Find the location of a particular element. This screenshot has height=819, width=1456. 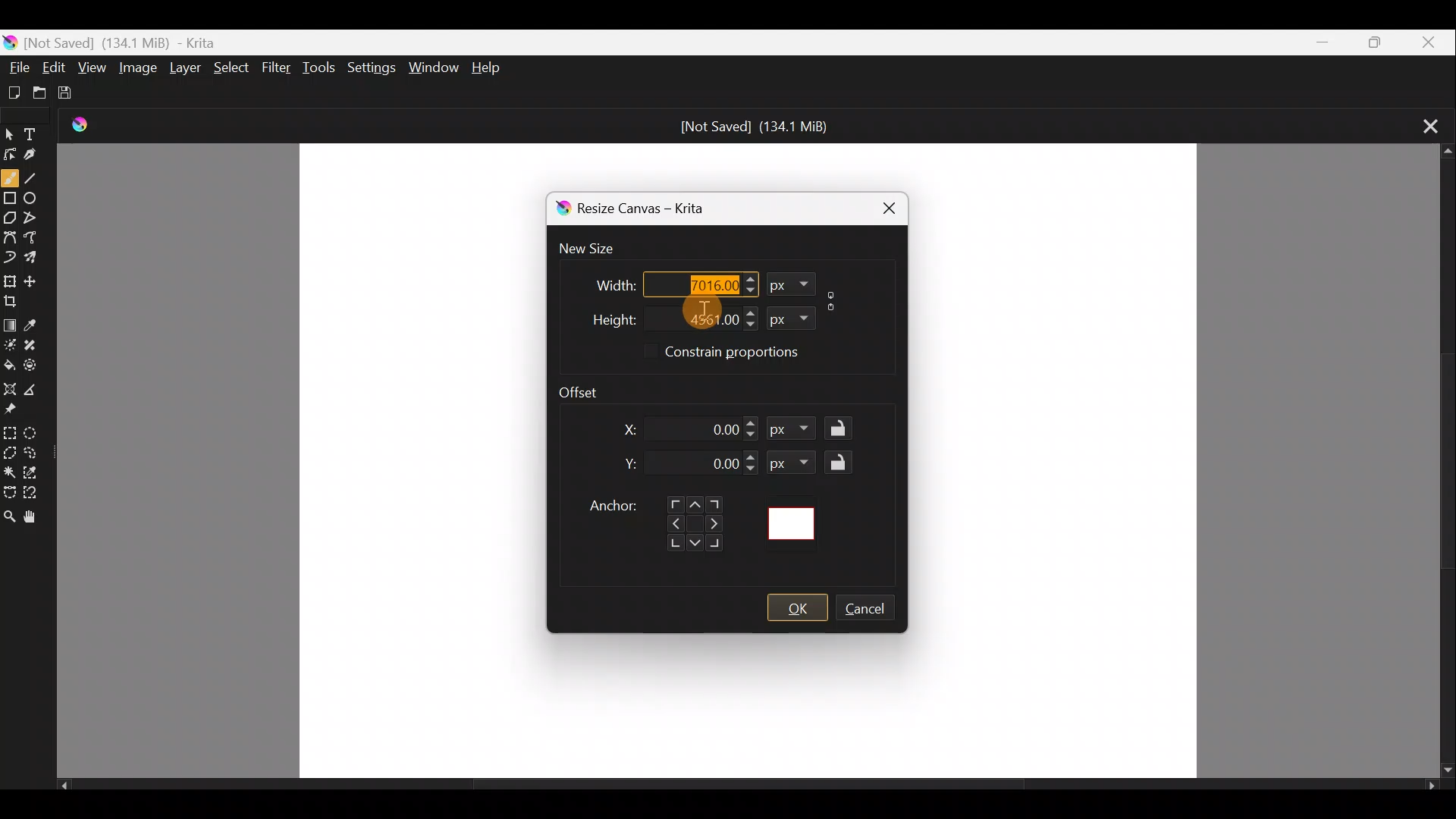

Tools is located at coordinates (322, 68).